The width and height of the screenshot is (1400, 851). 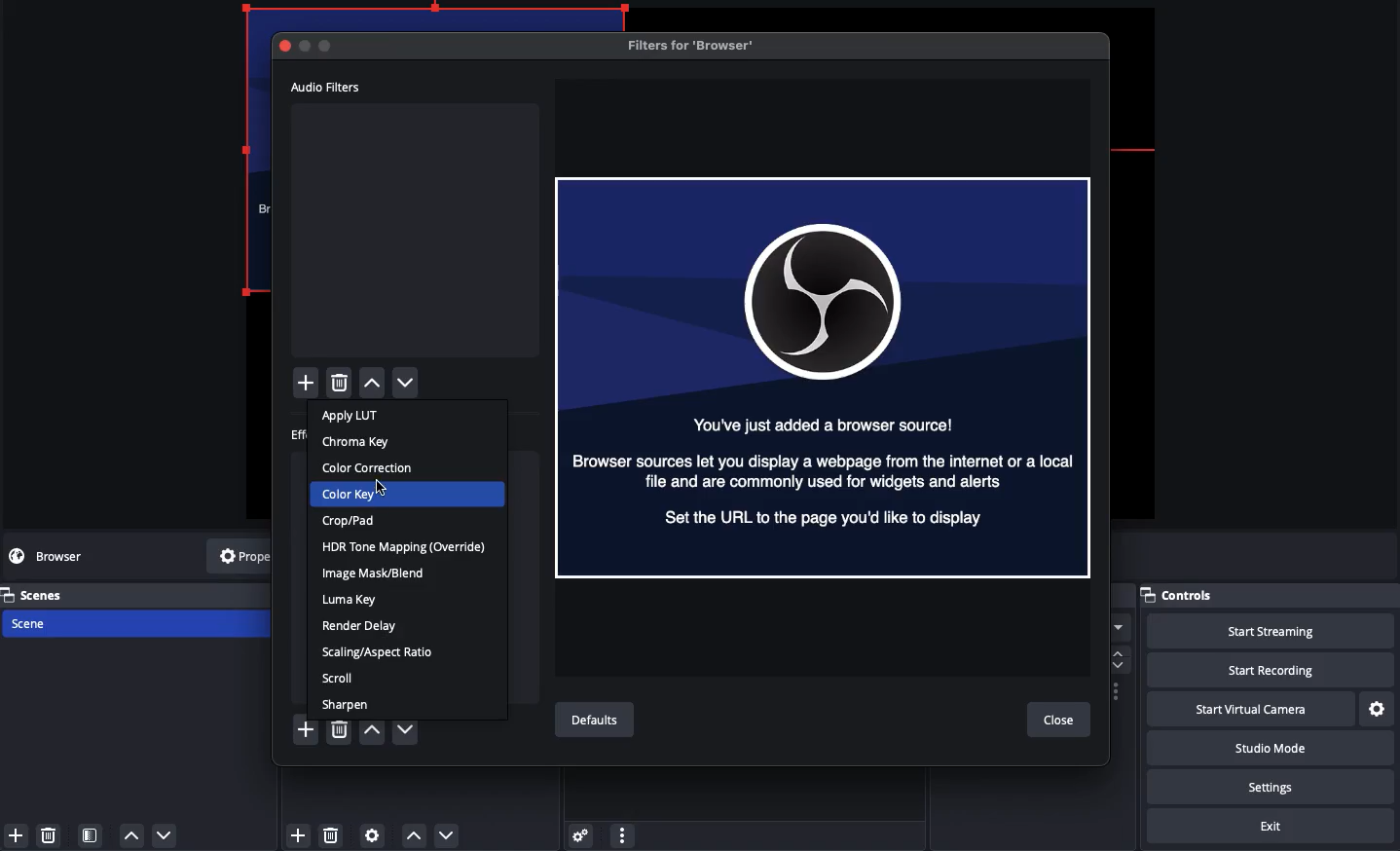 What do you see at coordinates (309, 383) in the screenshot?
I see `Add` at bounding box center [309, 383].